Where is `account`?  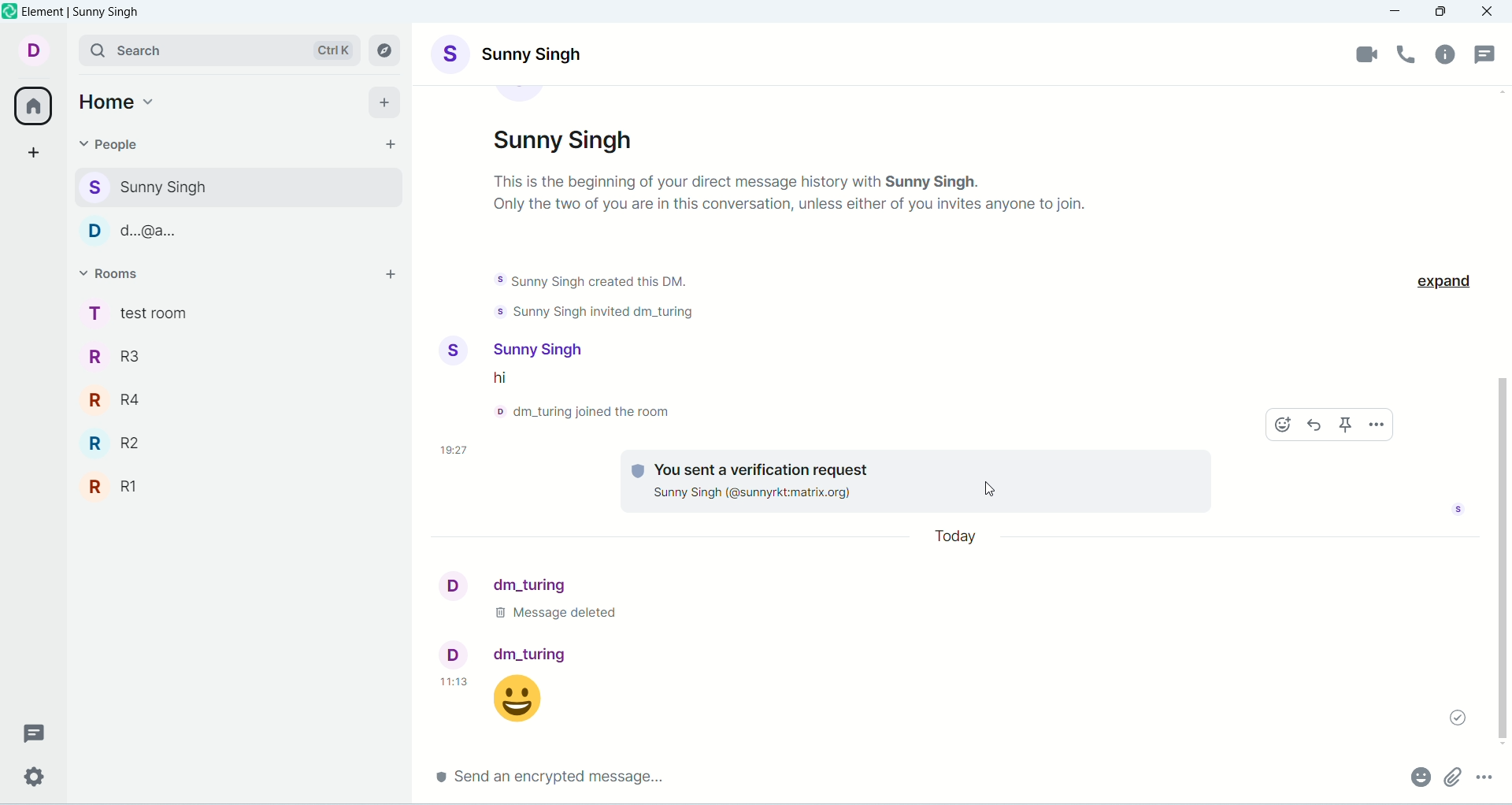
account is located at coordinates (35, 50).